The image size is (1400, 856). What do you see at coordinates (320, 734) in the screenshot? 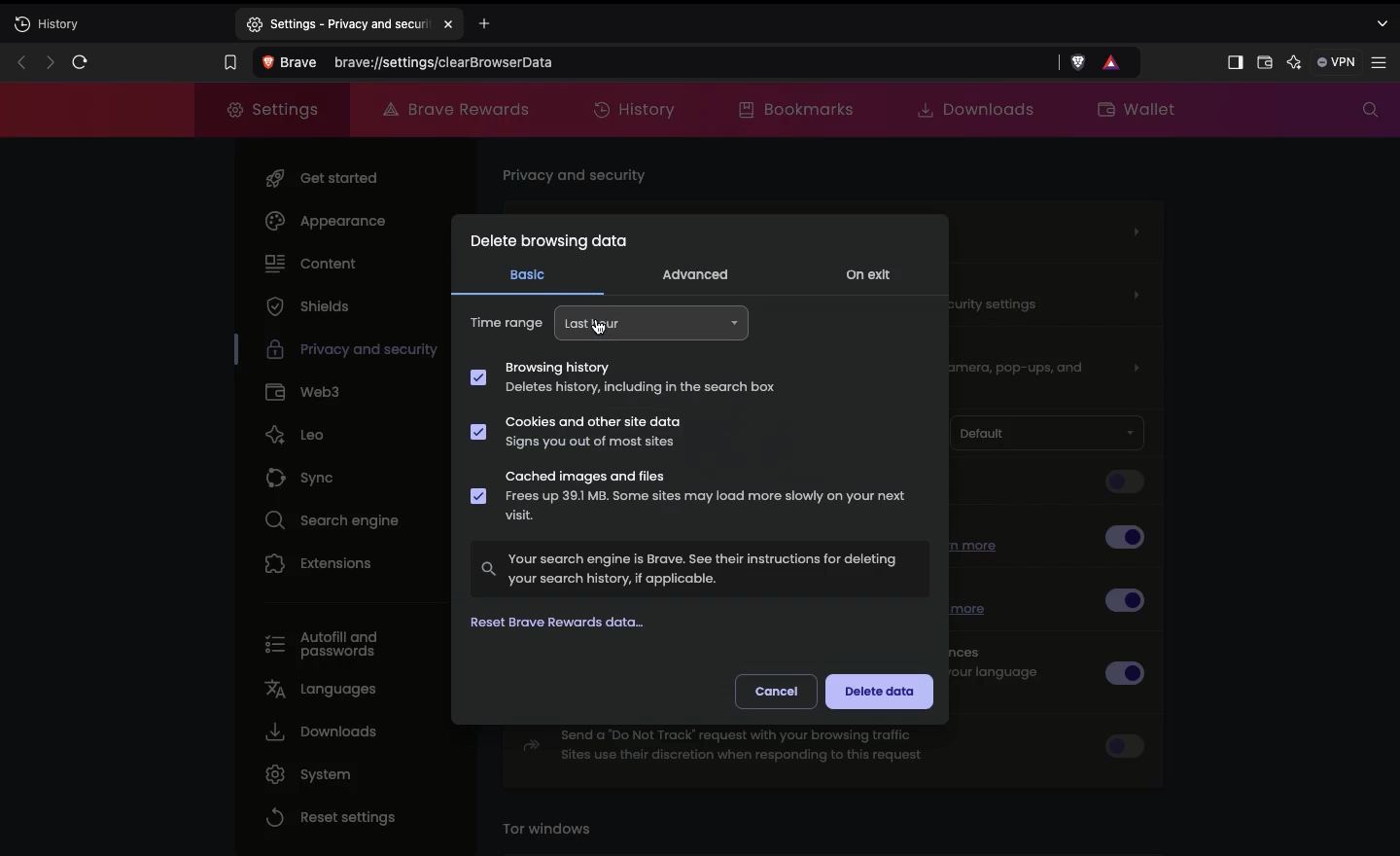
I see `Downloads` at bounding box center [320, 734].